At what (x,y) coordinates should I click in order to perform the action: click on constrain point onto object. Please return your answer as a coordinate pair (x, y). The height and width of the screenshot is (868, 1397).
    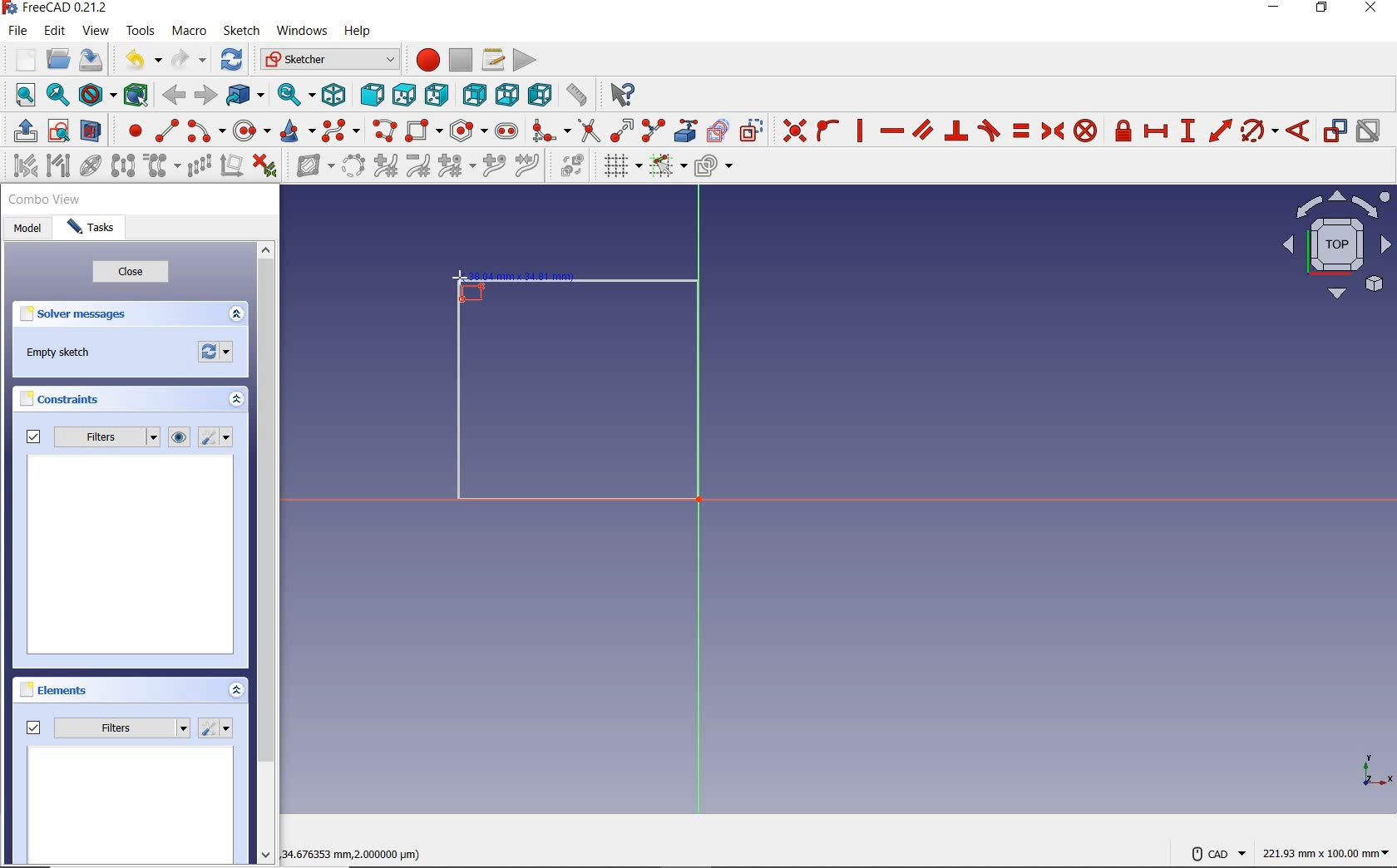
    Looking at the image, I should click on (827, 131).